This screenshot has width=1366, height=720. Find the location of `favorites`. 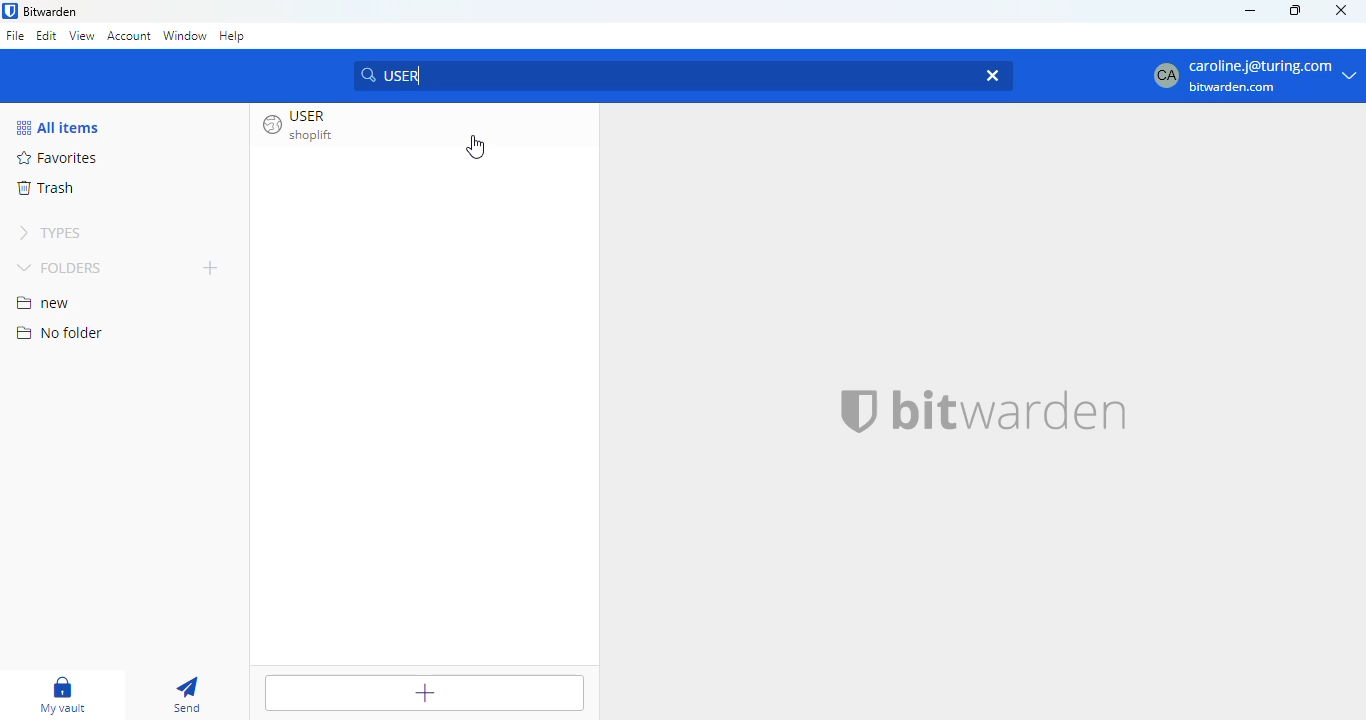

favorites is located at coordinates (59, 157).